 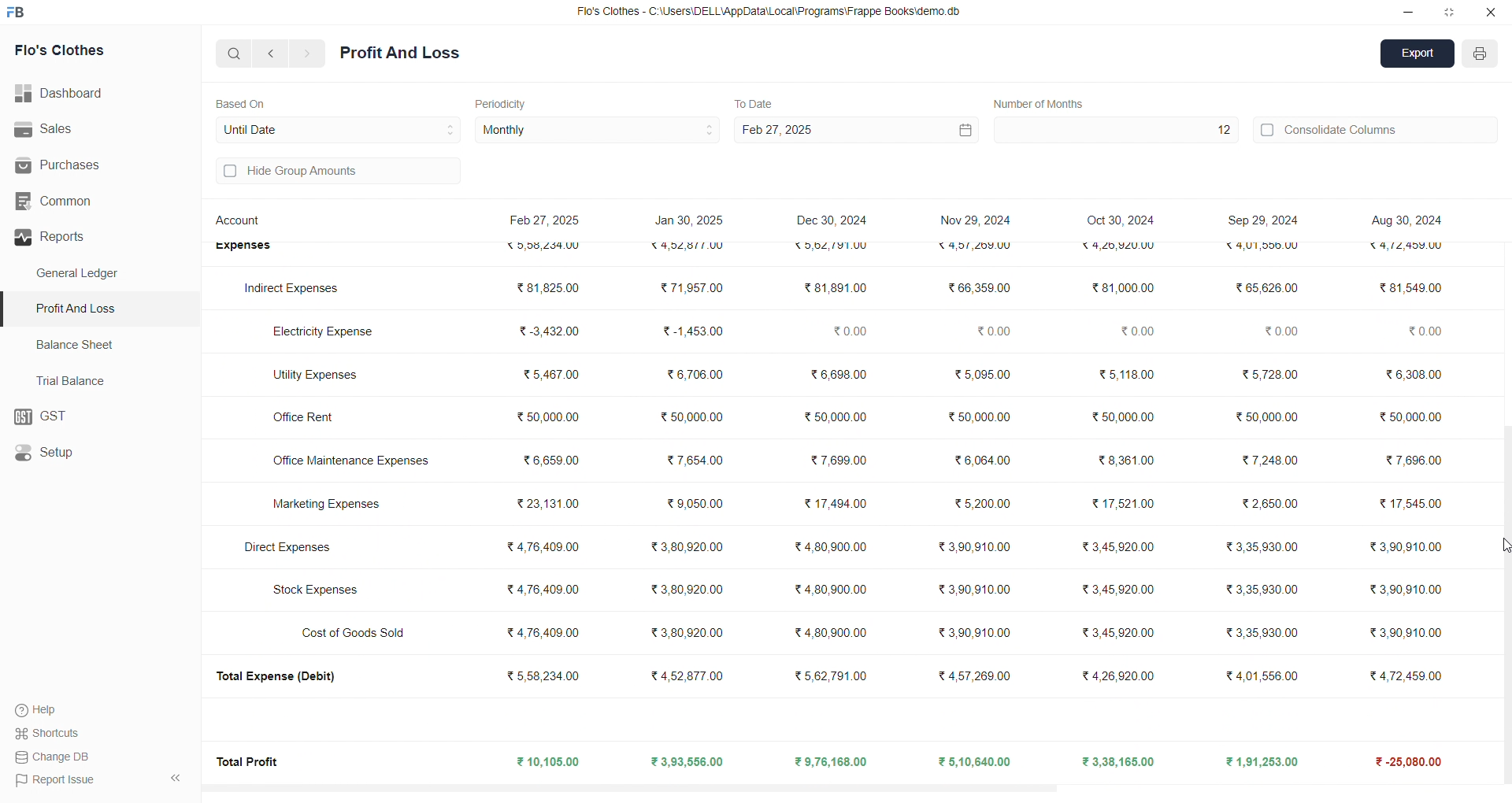 What do you see at coordinates (1125, 504) in the screenshot?
I see `₹1752100` at bounding box center [1125, 504].